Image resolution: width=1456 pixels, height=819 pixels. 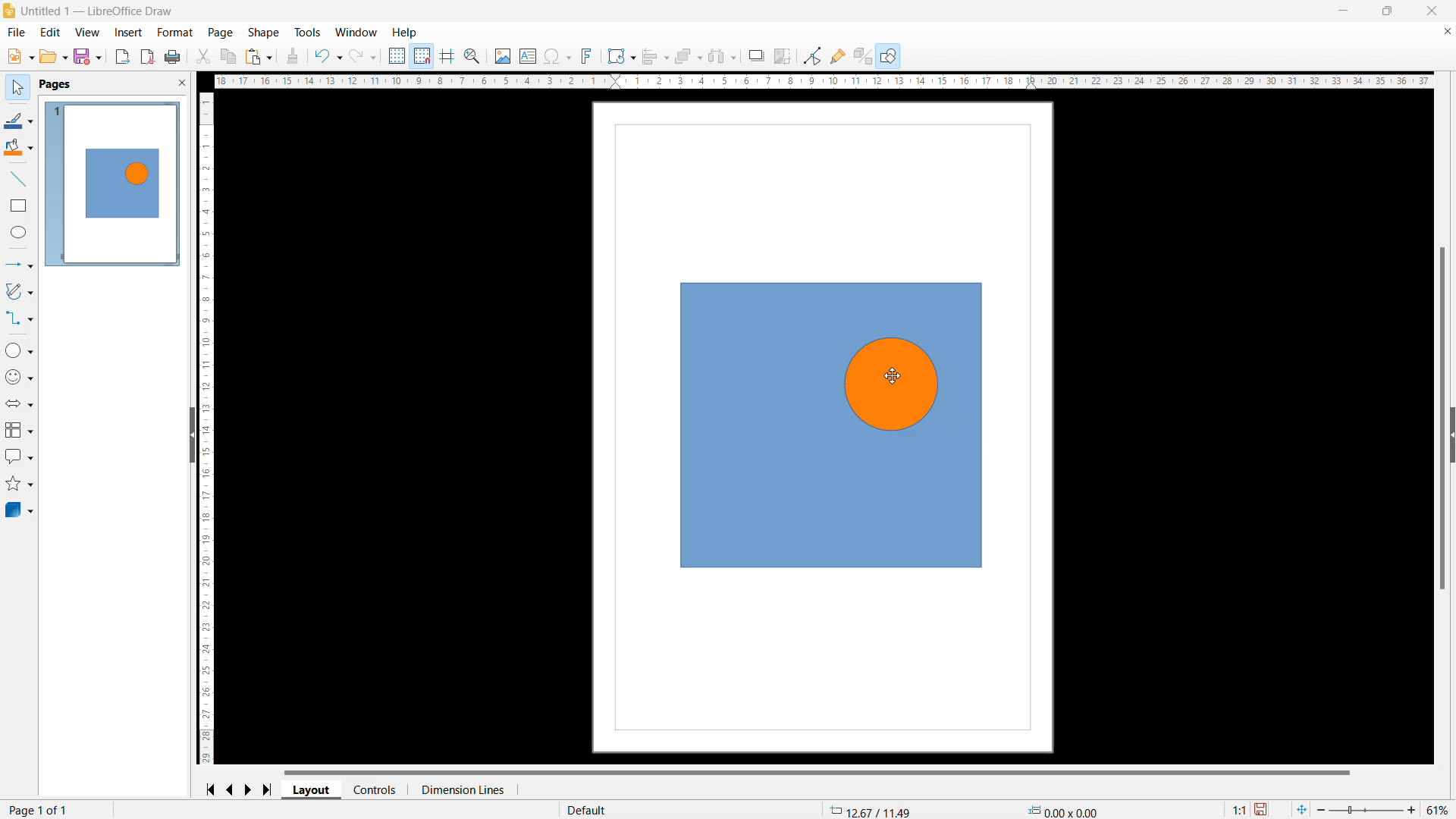 What do you see at coordinates (587, 56) in the screenshot?
I see `insert fontwork text` at bounding box center [587, 56].